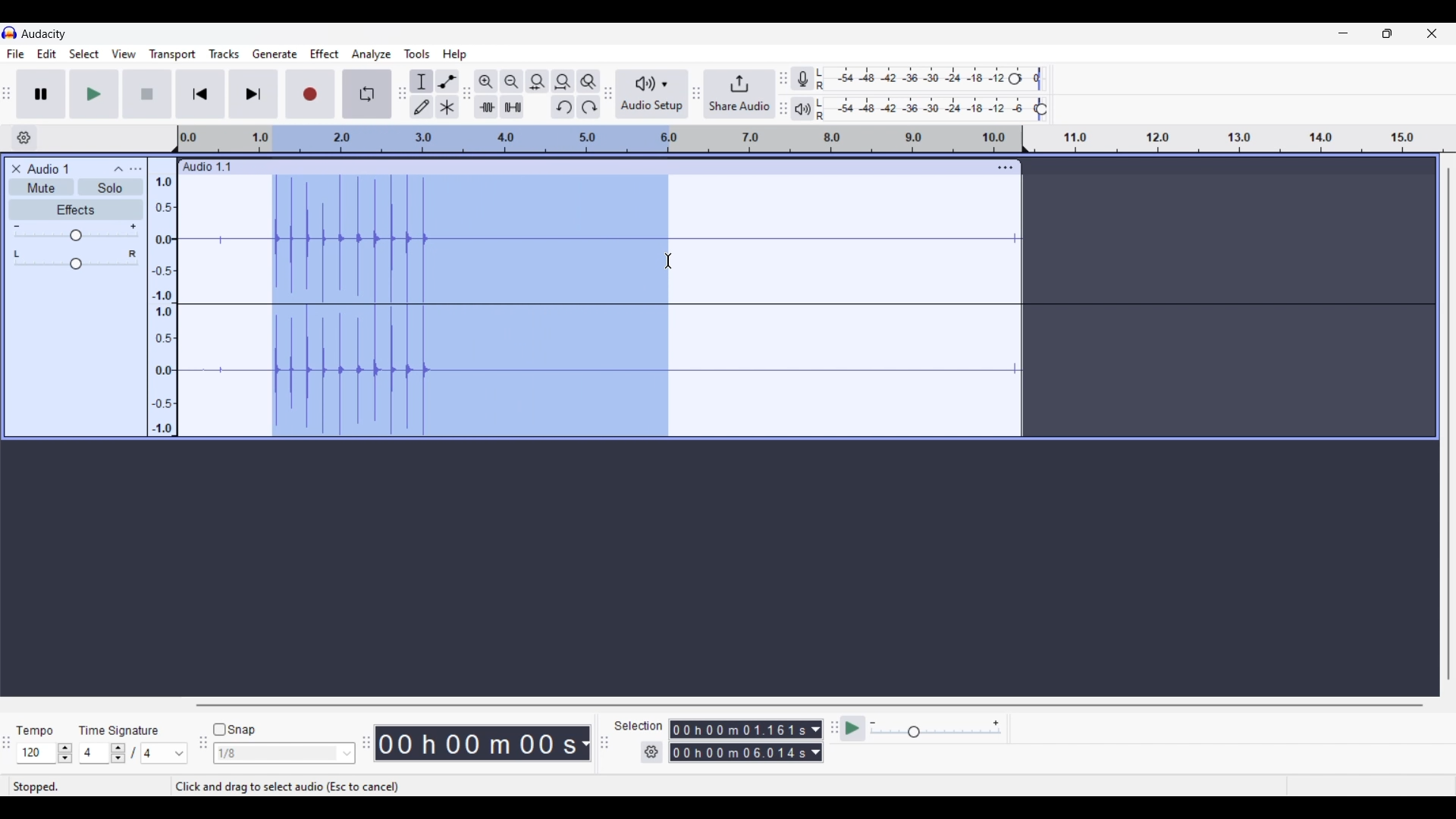  I want to click on Open menu, so click(135, 169).